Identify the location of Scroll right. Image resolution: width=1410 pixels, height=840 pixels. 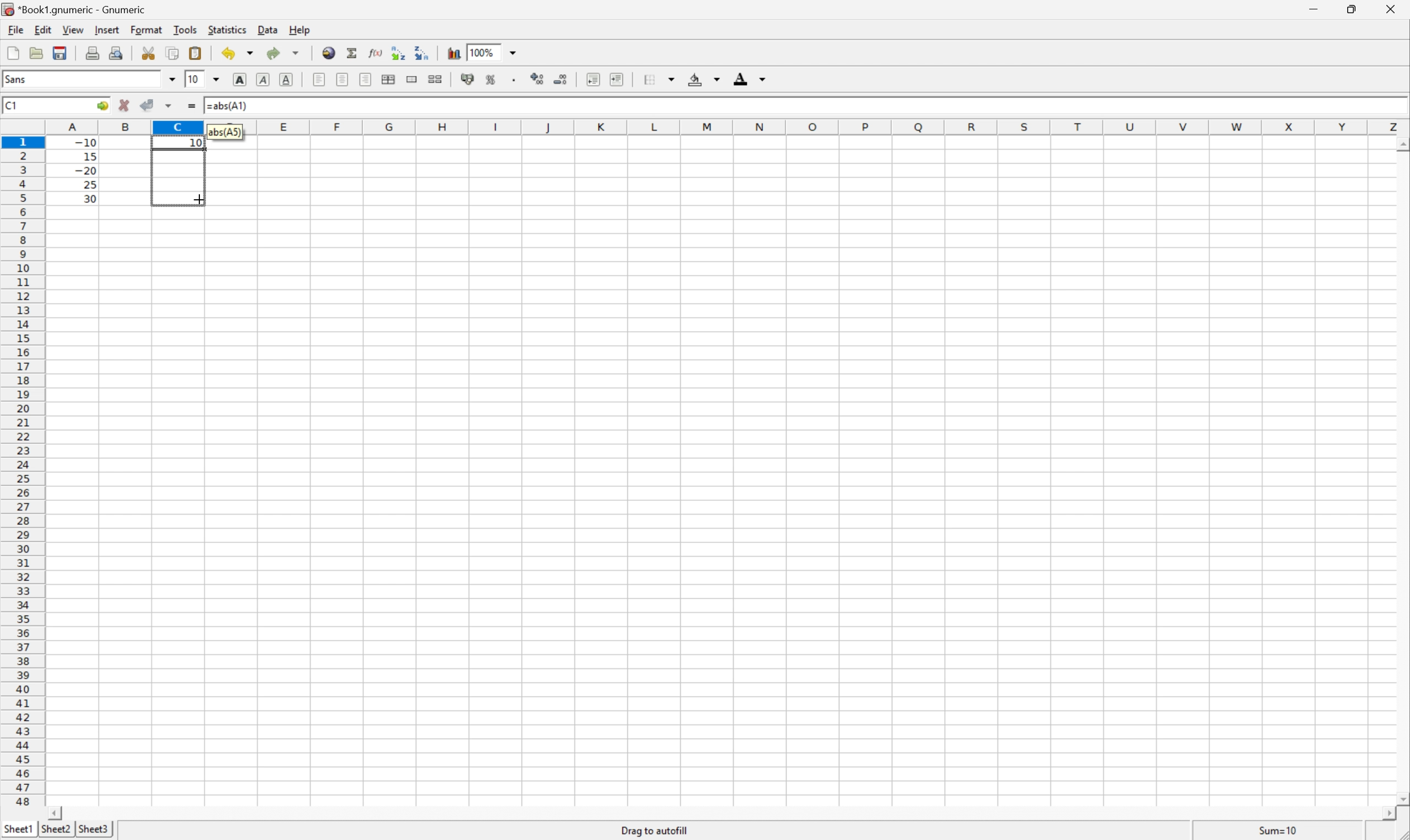
(1383, 814).